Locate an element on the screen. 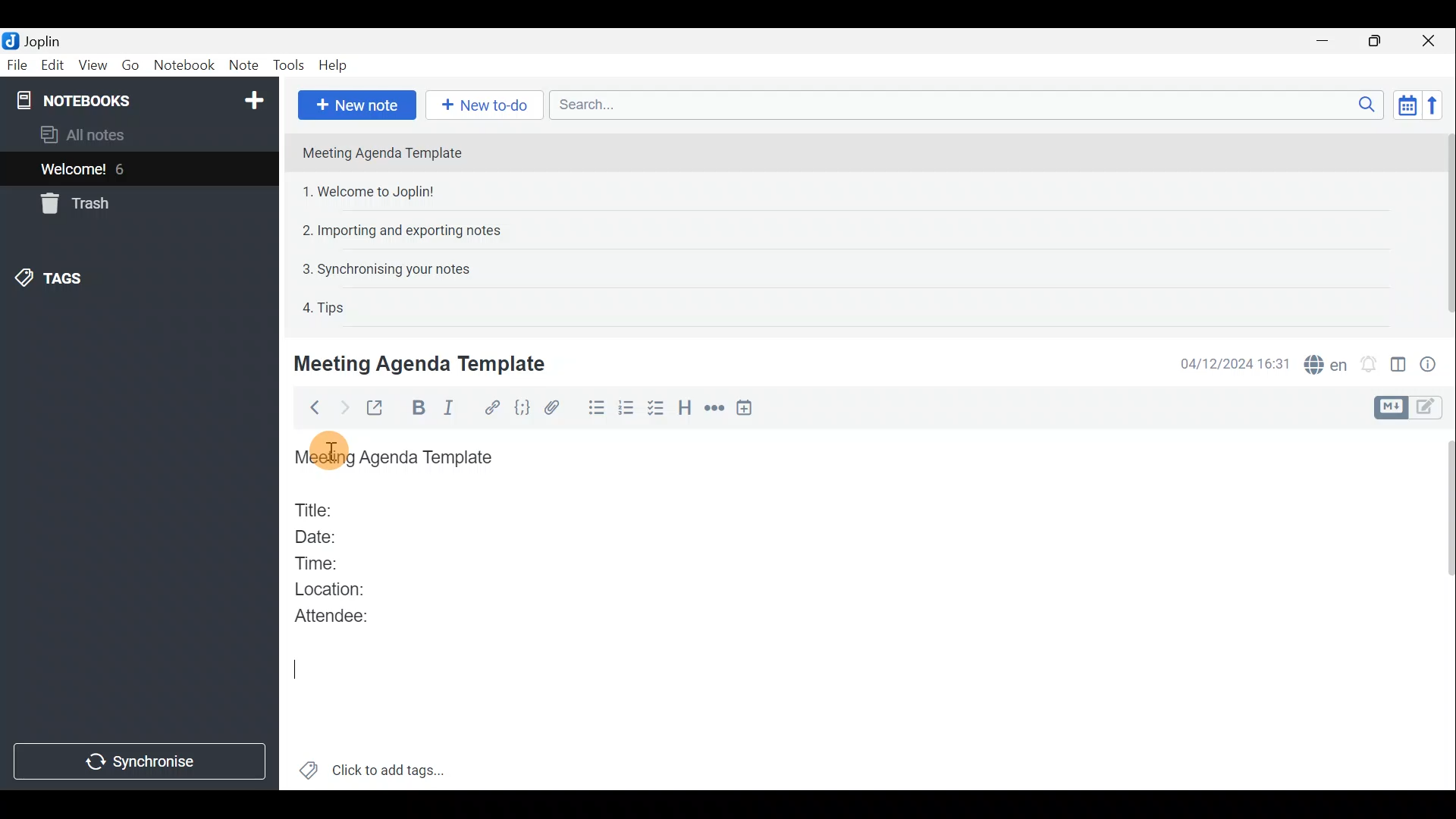 The width and height of the screenshot is (1456, 819). Cursor is located at coordinates (297, 668).